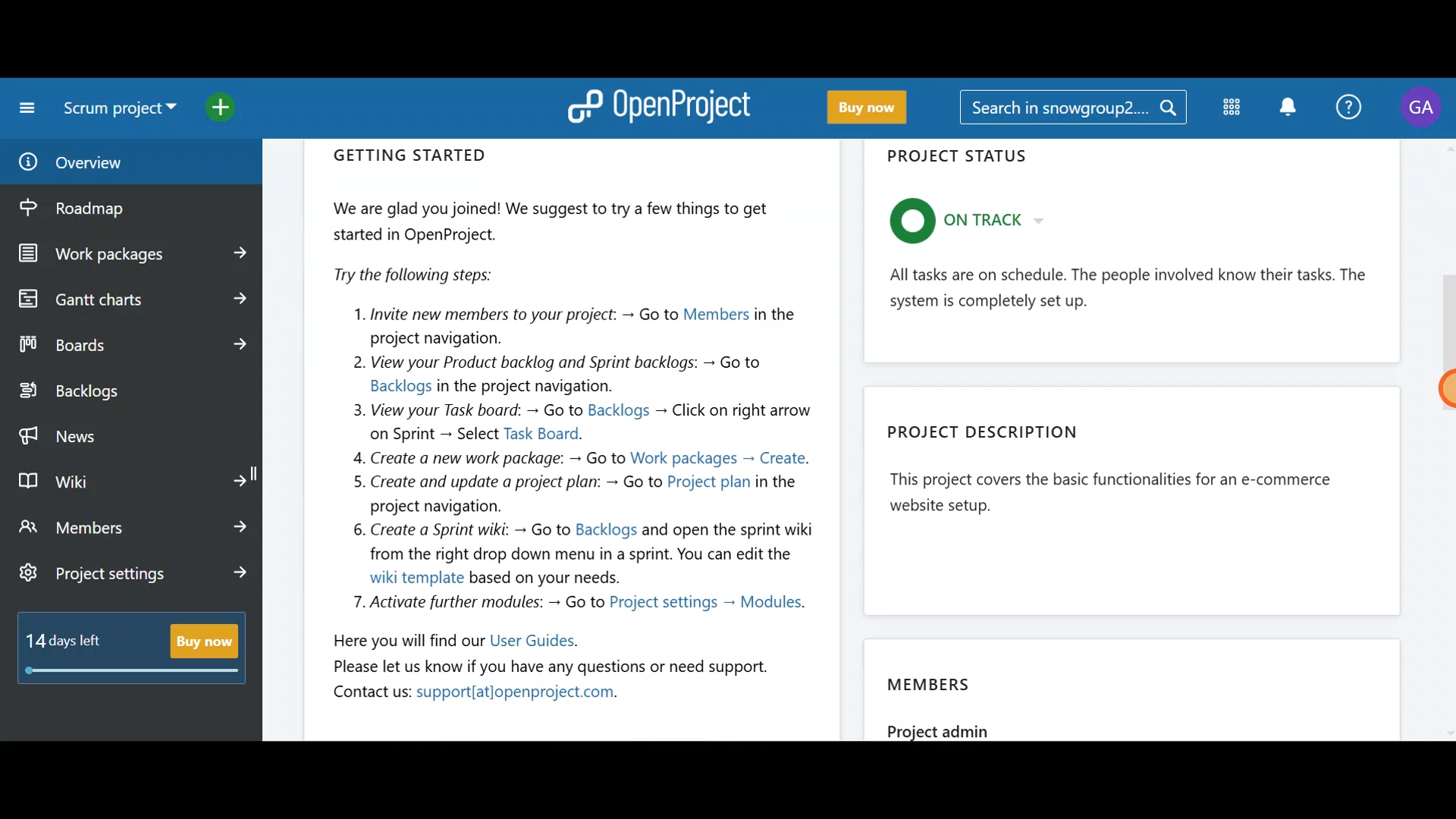 This screenshot has width=1456, height=819. What do you see at coordinates (138, 657) in the screenshot?
I see `Buy now` at bounding box center [138, 657].